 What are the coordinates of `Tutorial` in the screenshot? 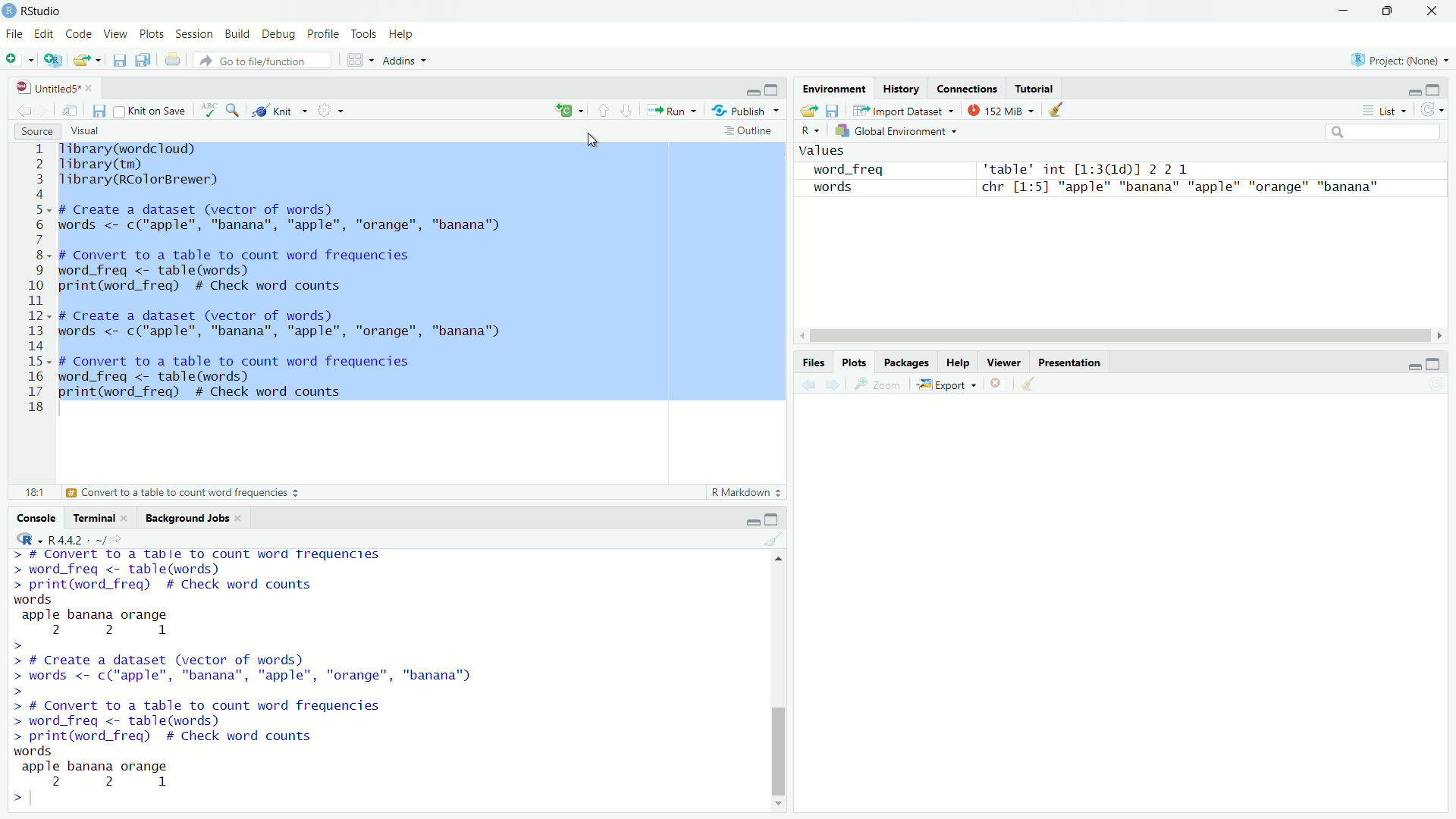 It's located at (1036, 87).